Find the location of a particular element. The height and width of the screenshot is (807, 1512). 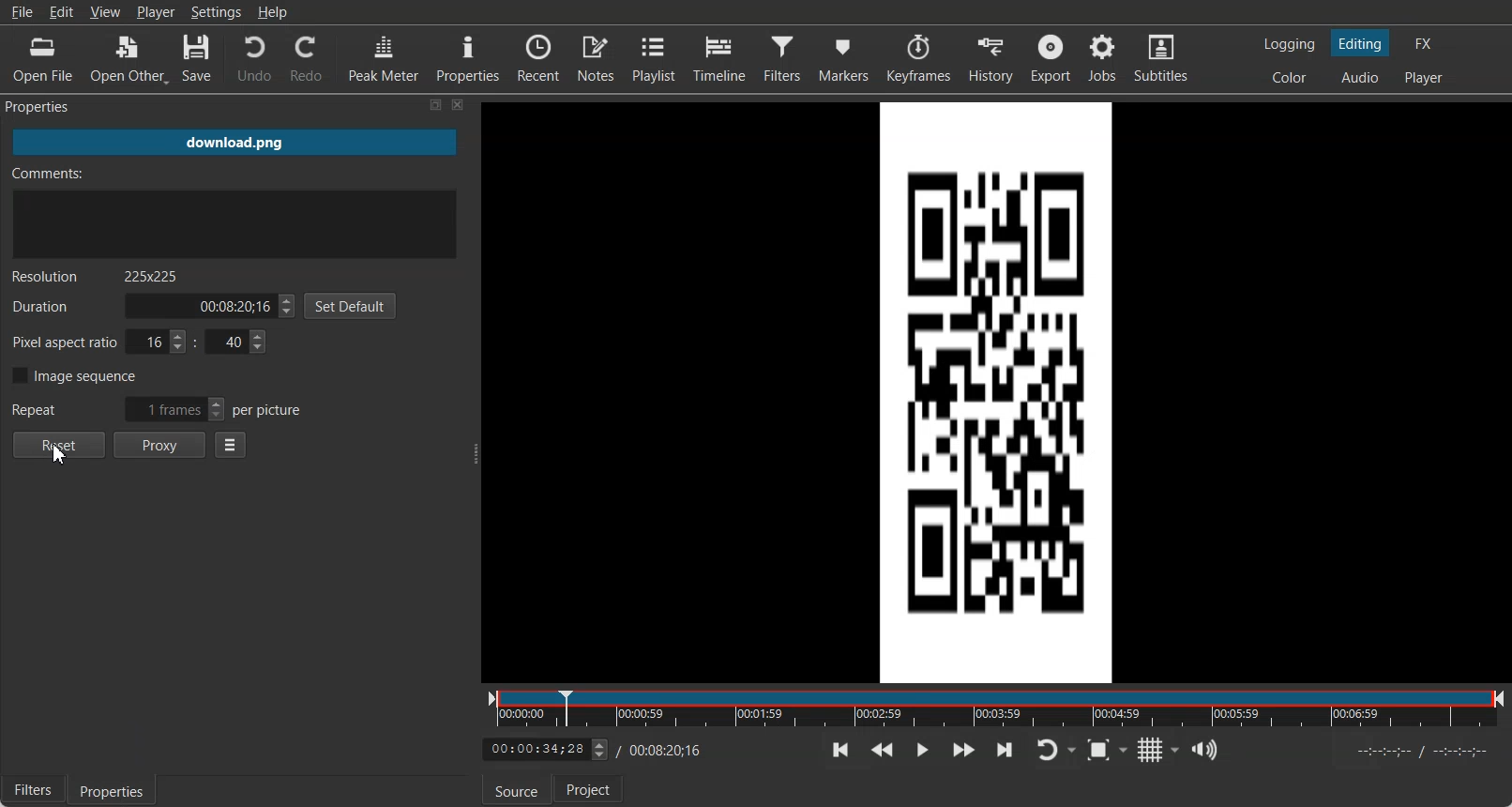

Open File is located at coordinates (42, 57).